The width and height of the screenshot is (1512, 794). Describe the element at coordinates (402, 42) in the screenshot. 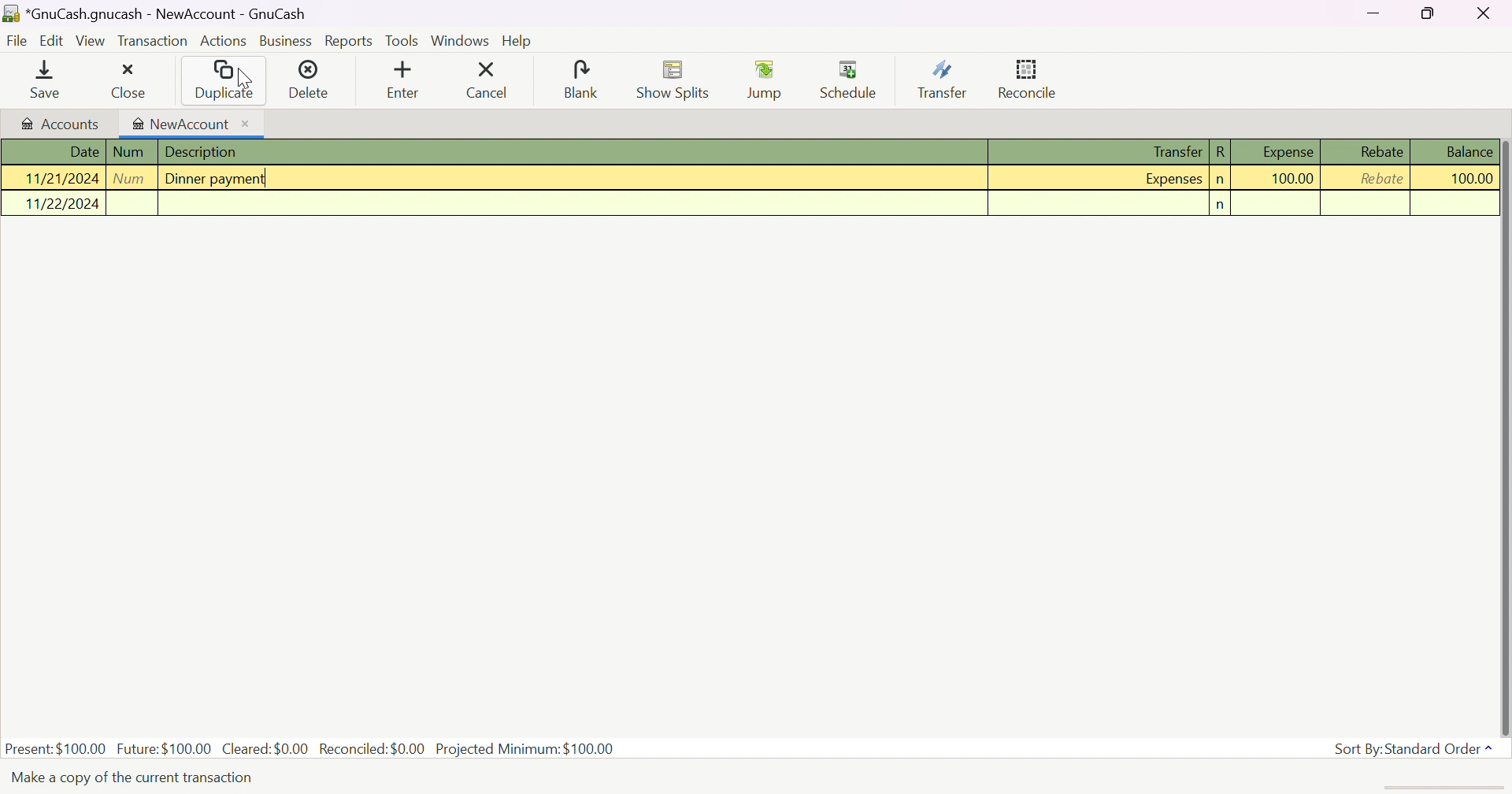

I see `Tools` at that location.